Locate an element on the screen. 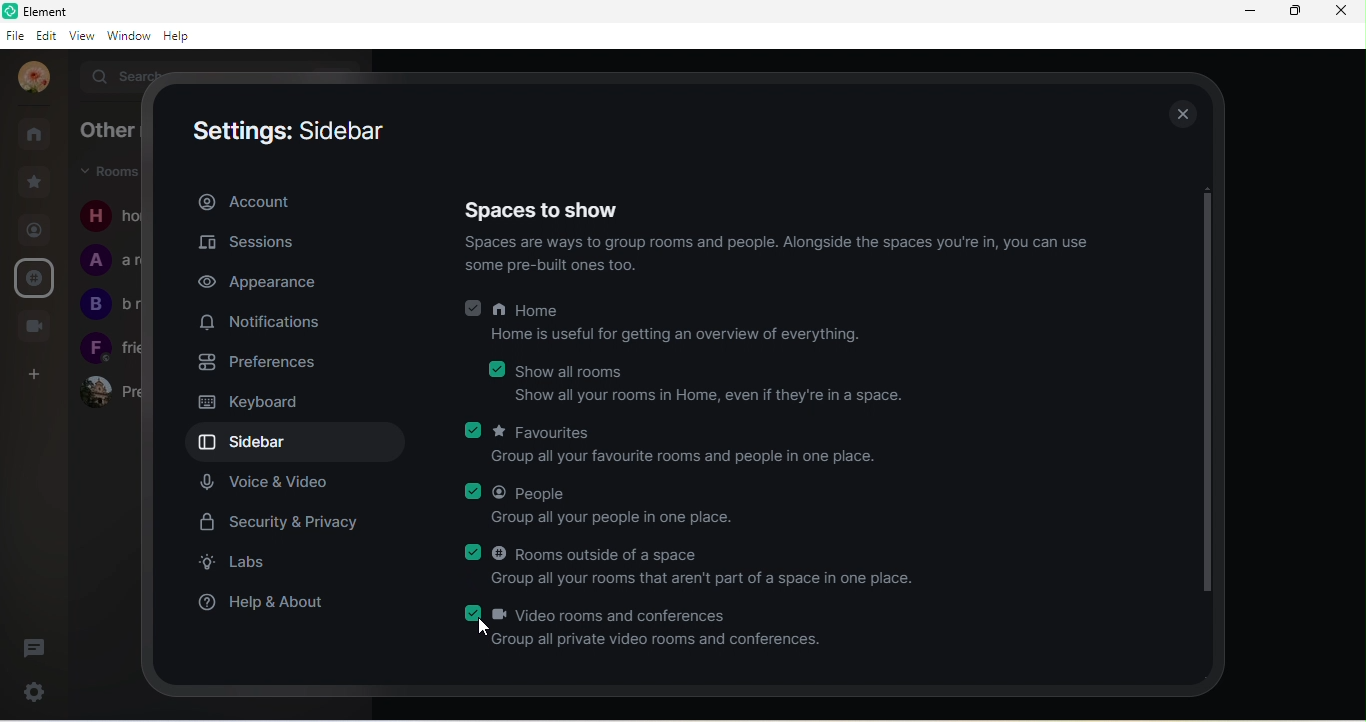 The height and width of the screenshot is (722, 1366). window is located at coordinates (130, 36).